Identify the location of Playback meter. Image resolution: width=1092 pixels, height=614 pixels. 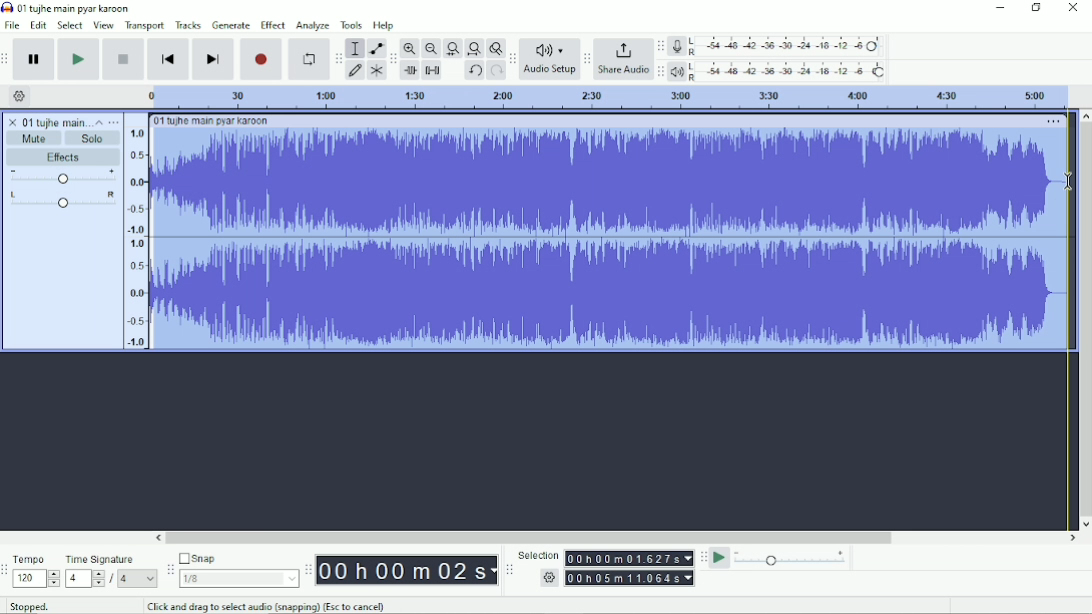
(778, 71).